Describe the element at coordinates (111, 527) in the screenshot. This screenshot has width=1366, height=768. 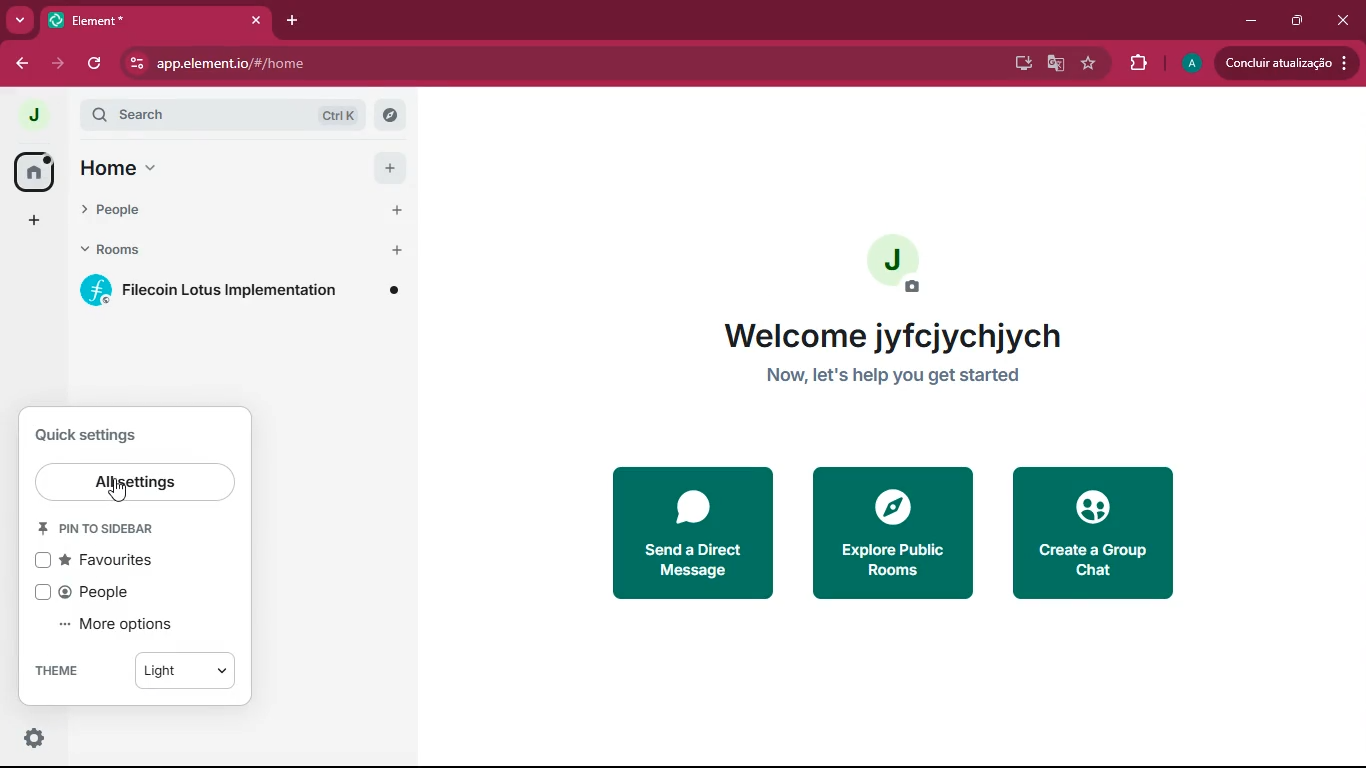
I see `pin to sidebar` at that location.